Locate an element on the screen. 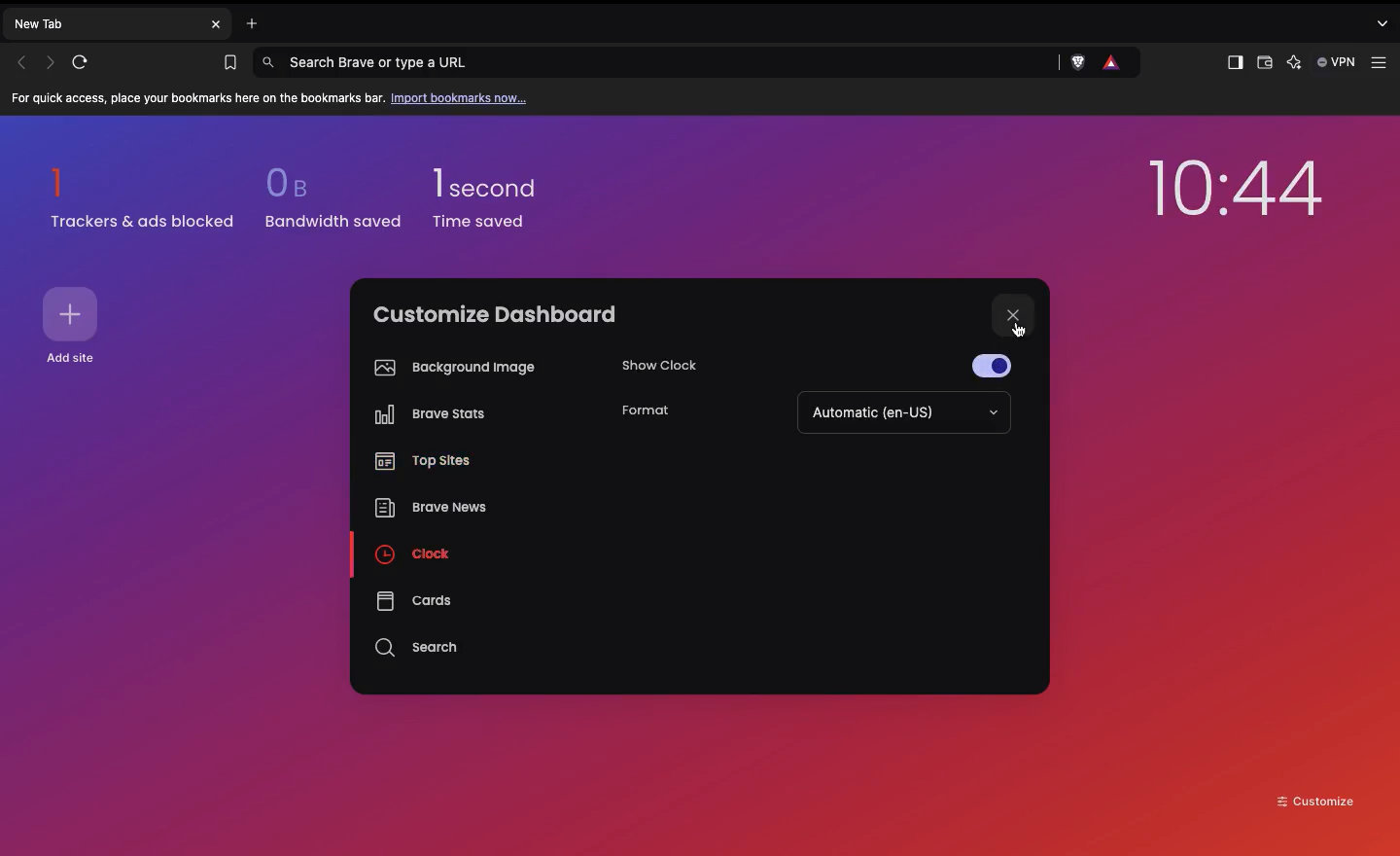 This screenshot has width=1400, height=856. Sidebar is located at coordinates (1233, 63).